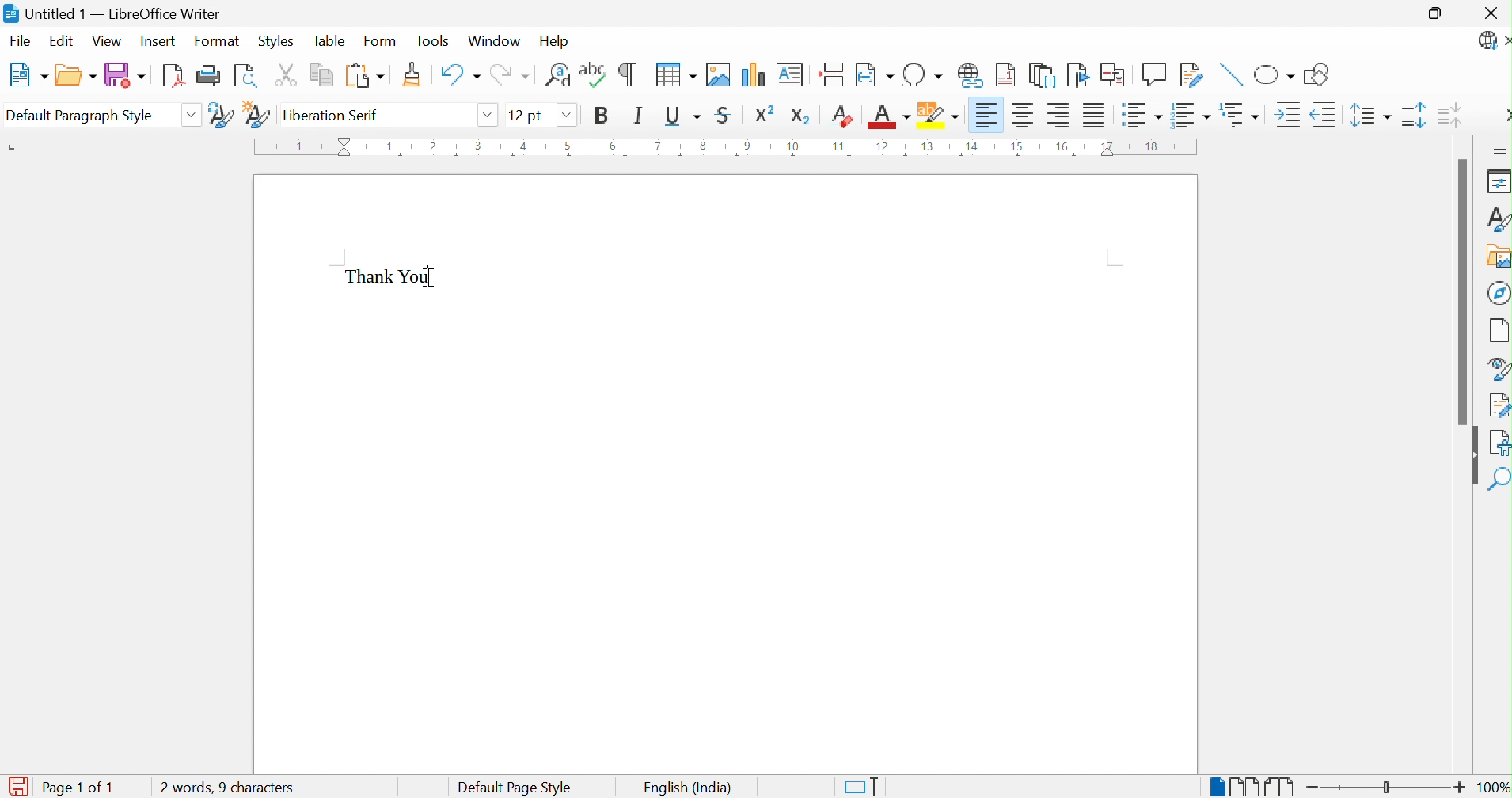 The image size is (1512, 798). Describe the element at coordinates (553, 42) in the screenshot. I see `Help` at that location.